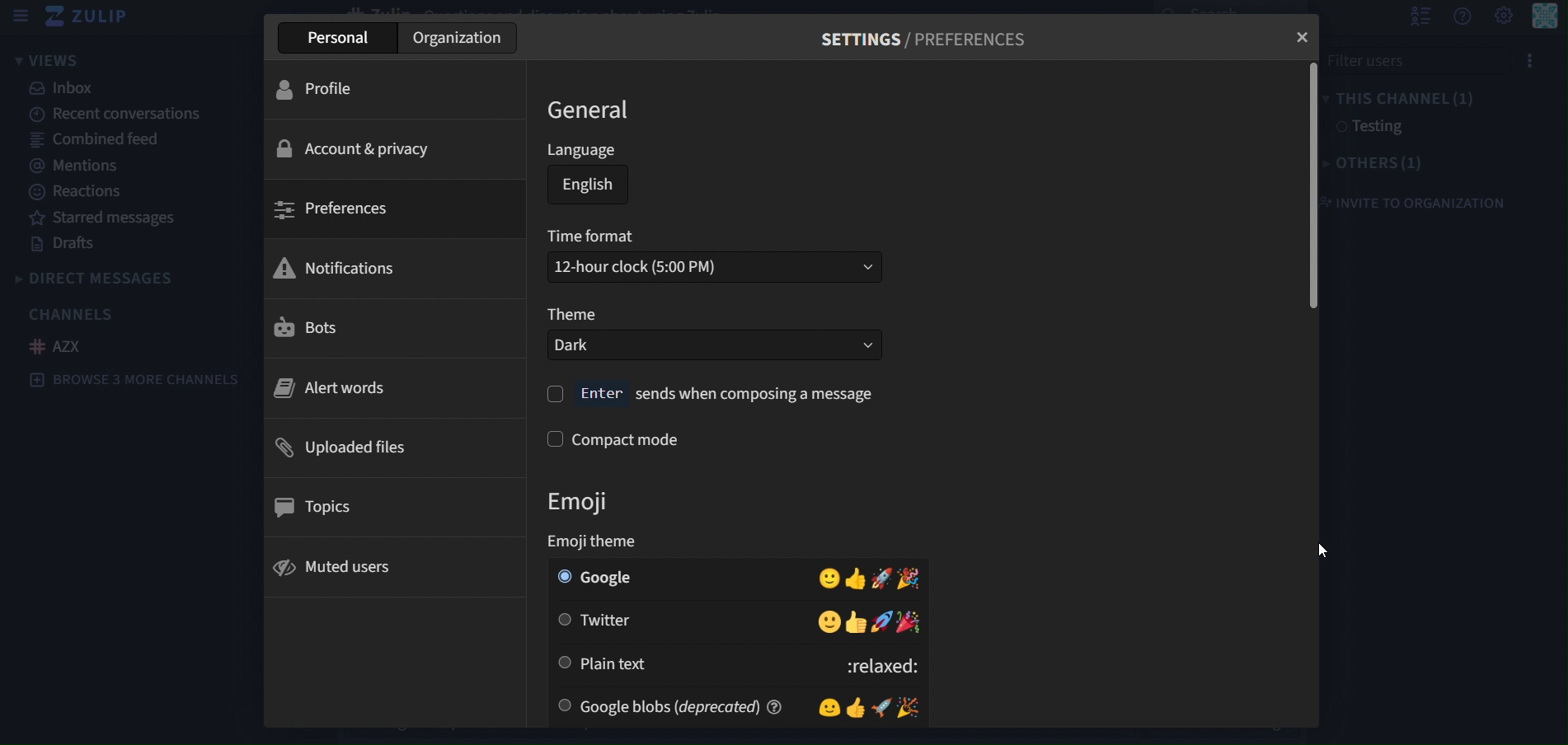 The width and height of the screenshot is (1568, 745). What do you see at coordinates (1415, 17) in the screenshot?
I see `hide user list` at bounding box center [1415, 17].